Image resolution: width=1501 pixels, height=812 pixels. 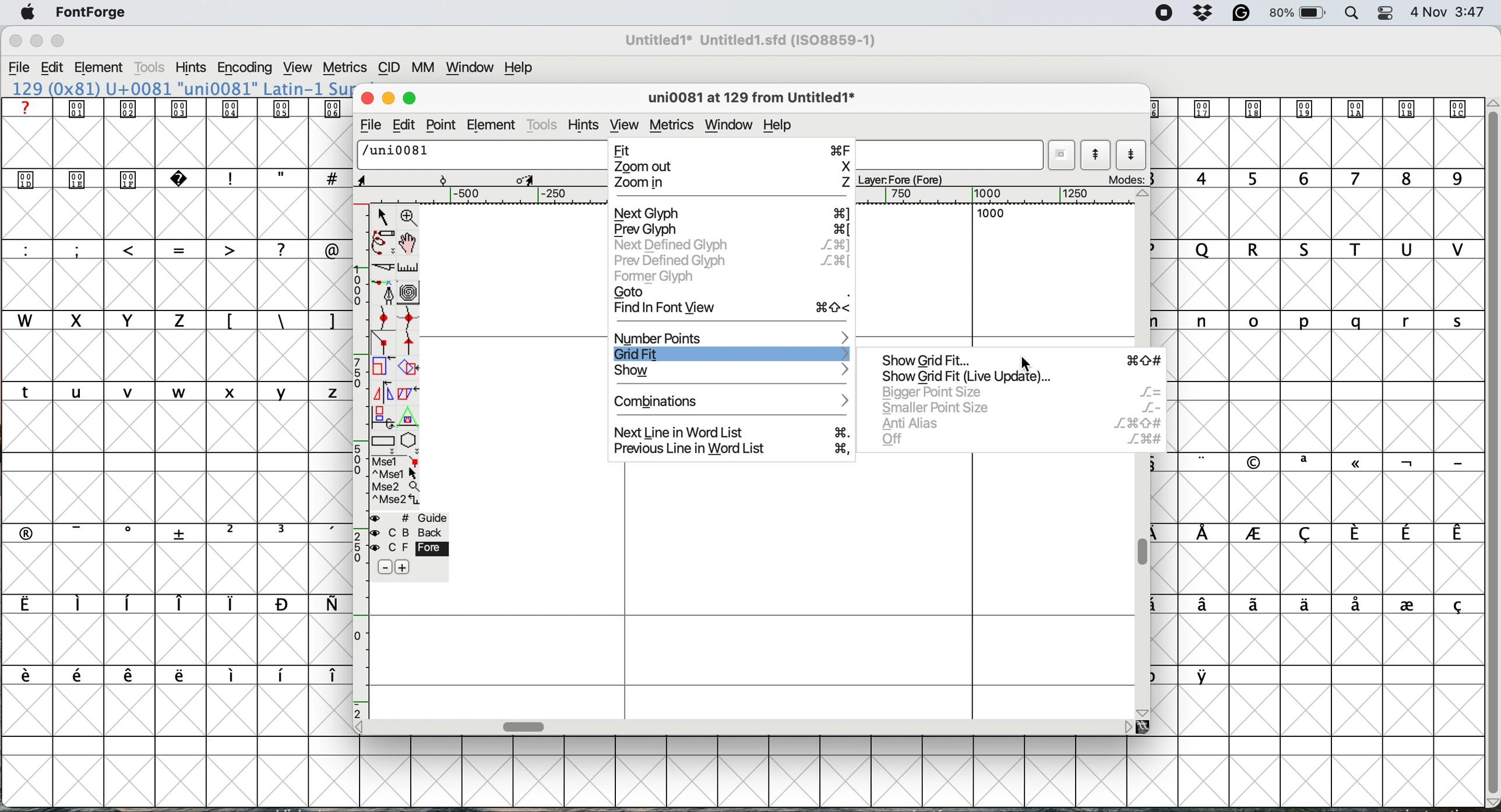 What do you see at coordinates (981, 377) in the screenshot?
I see `show grid fit` at bounding box center [981, 377].